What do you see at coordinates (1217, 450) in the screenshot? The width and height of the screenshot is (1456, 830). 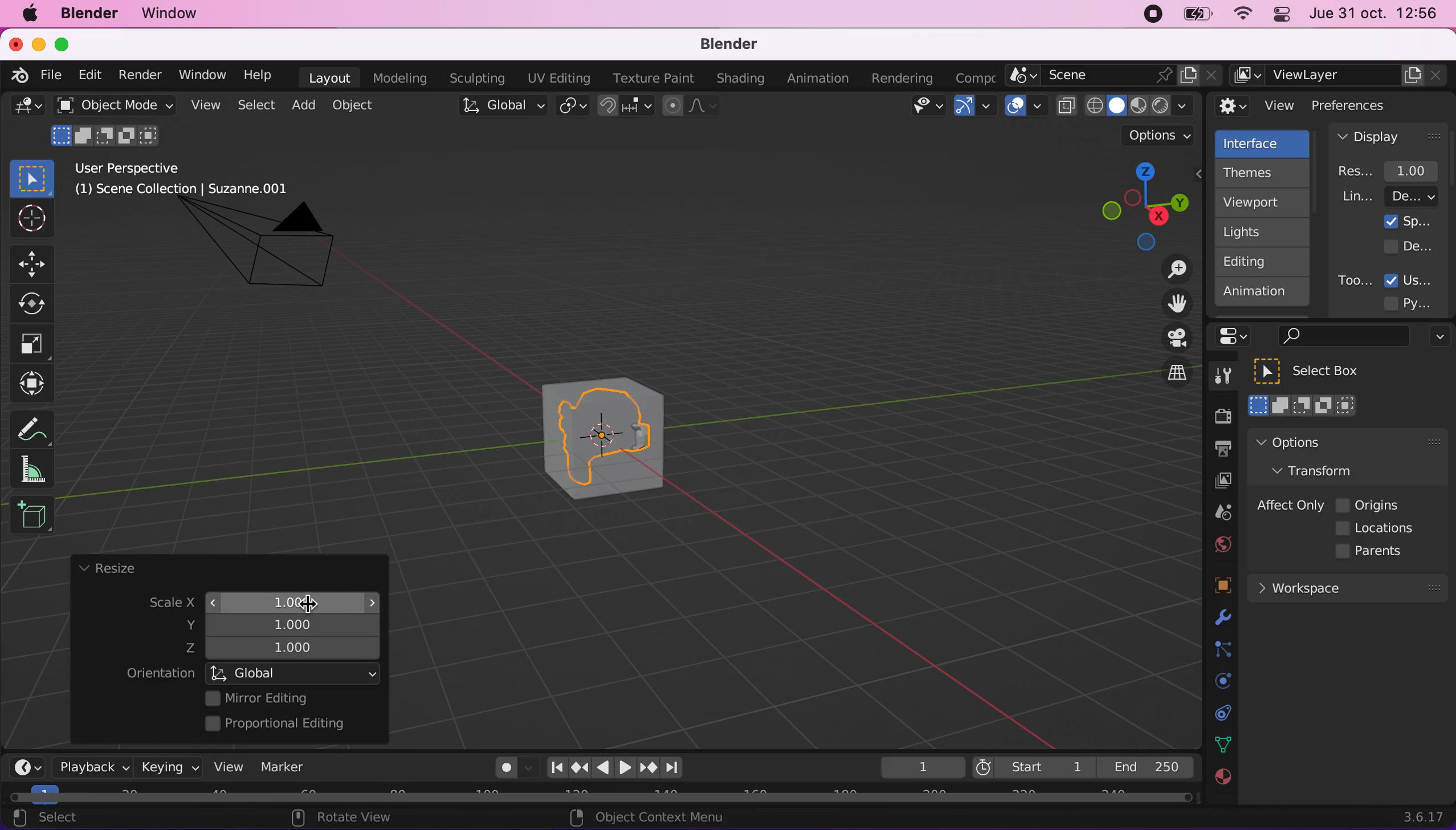 I see `output` at bounding box center [1217, 450].